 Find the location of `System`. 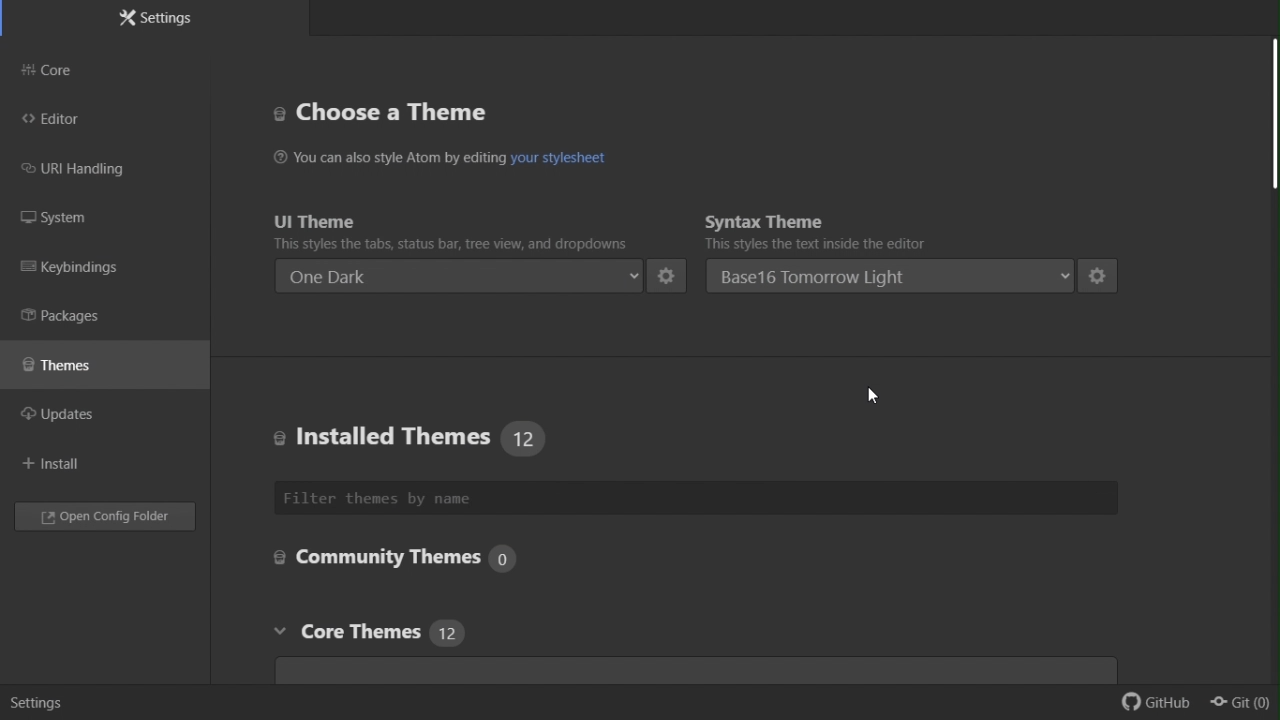

System is located at coordinates (61, 219).